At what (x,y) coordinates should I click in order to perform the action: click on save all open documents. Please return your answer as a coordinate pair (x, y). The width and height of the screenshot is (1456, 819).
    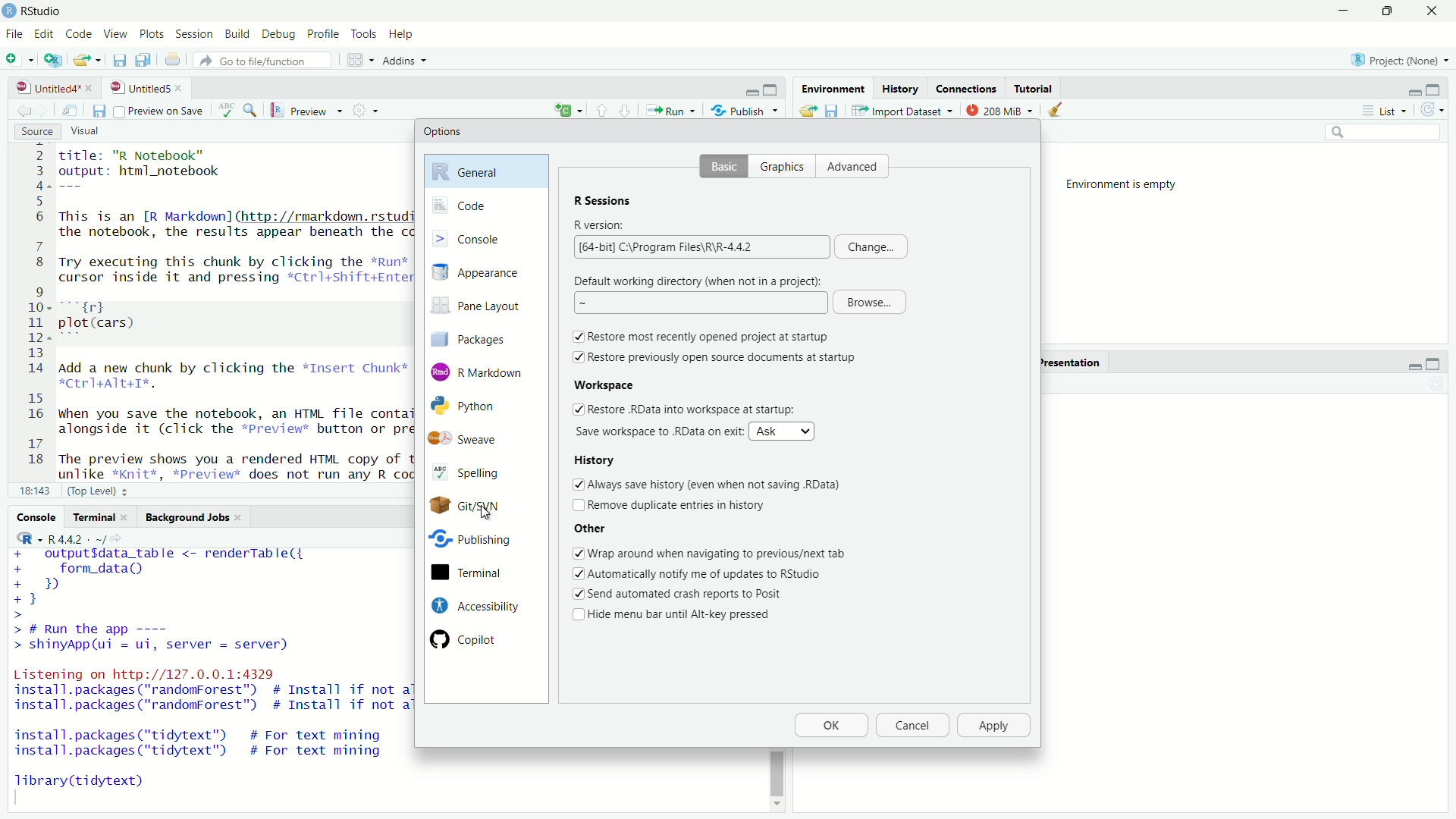
    Looking at the image, I should click on (145, 60).